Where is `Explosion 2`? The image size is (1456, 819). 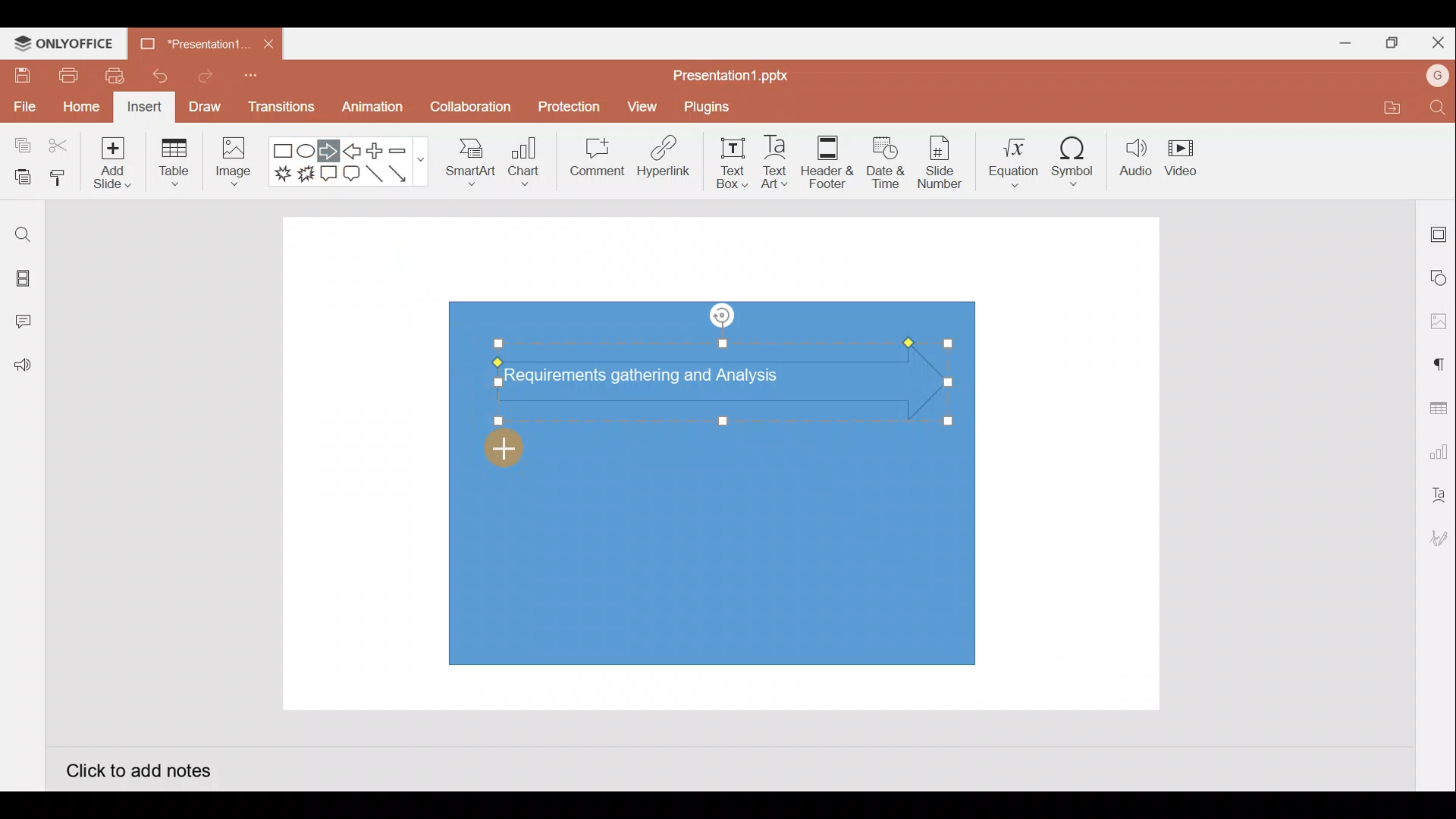 Explosion 2 is located at coordinates (306, 175).